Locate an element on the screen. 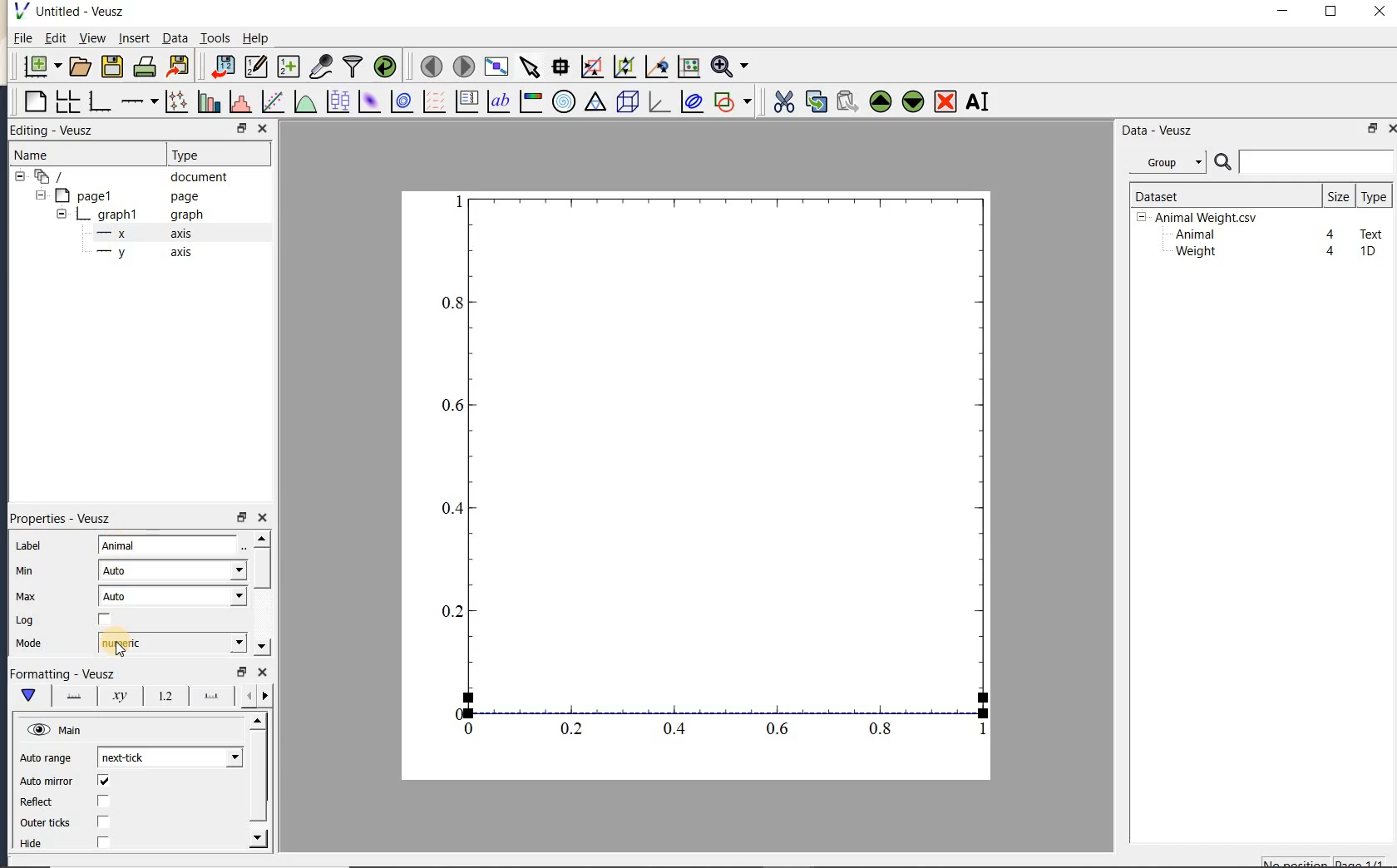 Image resolution: width=1397 pixels, height=868 pixels. 3d scene is located at coordinates (625, 102).